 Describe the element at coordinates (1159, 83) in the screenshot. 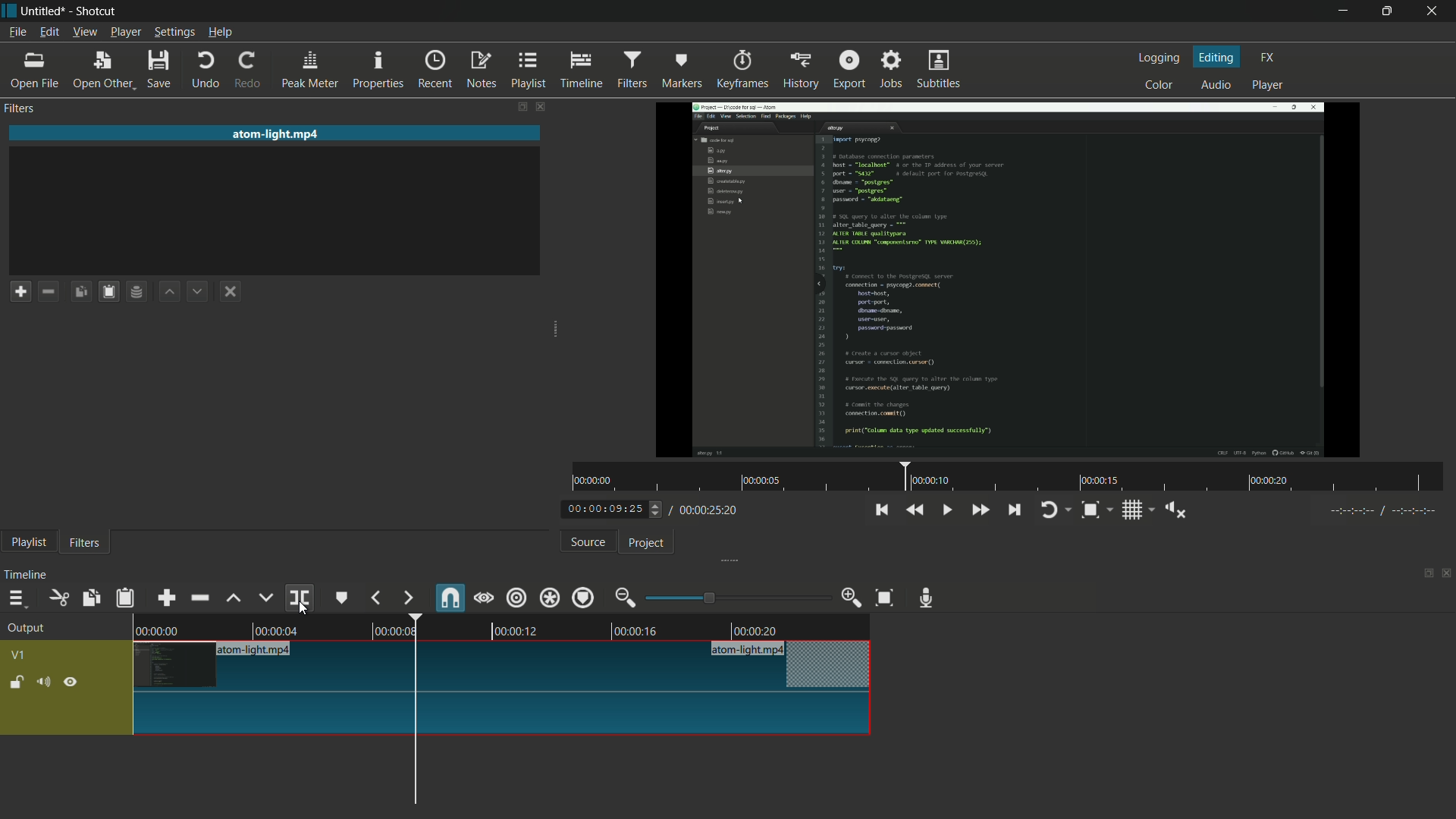

I see `color` at that location.